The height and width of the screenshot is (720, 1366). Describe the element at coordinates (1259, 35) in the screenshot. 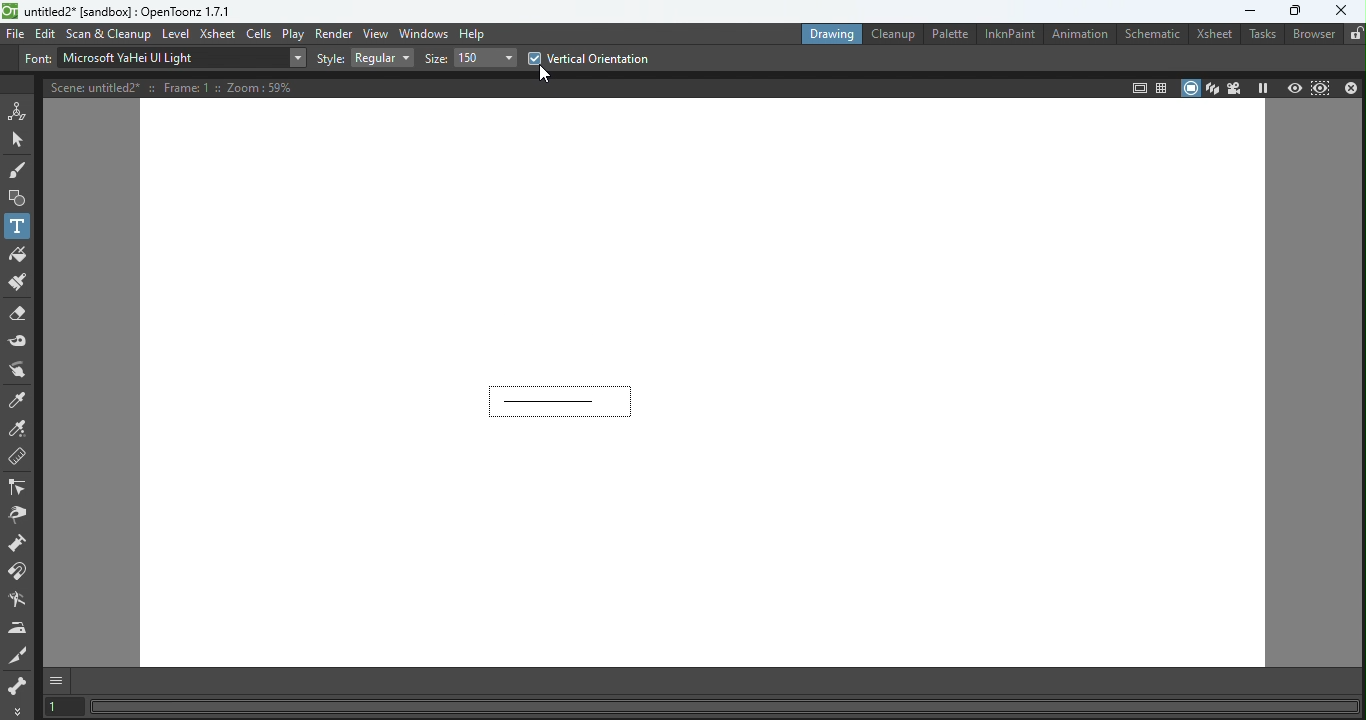

I see `Tasks` at that location.